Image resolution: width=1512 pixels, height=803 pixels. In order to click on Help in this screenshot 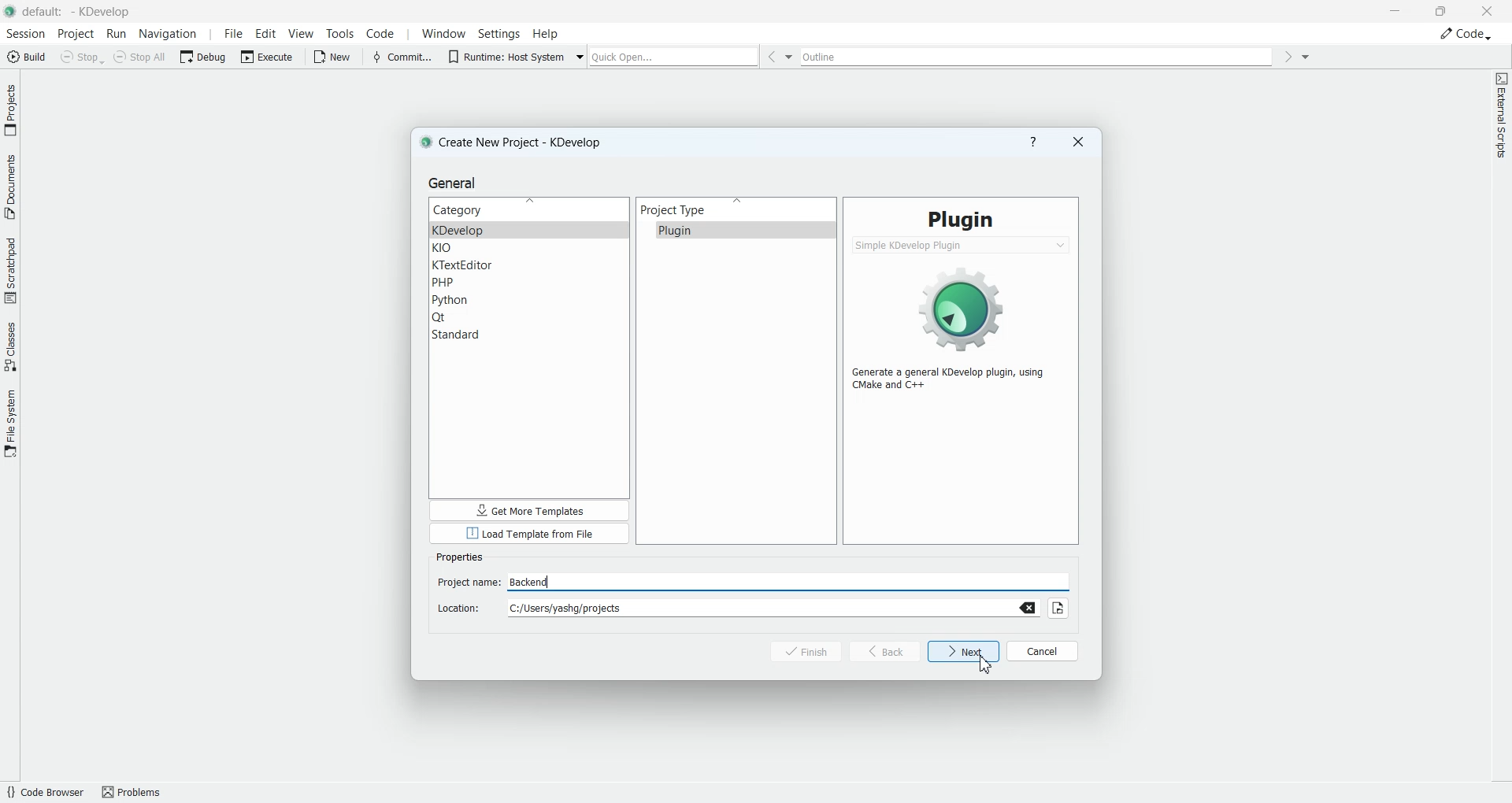, I will do `click(1033, 142)`.